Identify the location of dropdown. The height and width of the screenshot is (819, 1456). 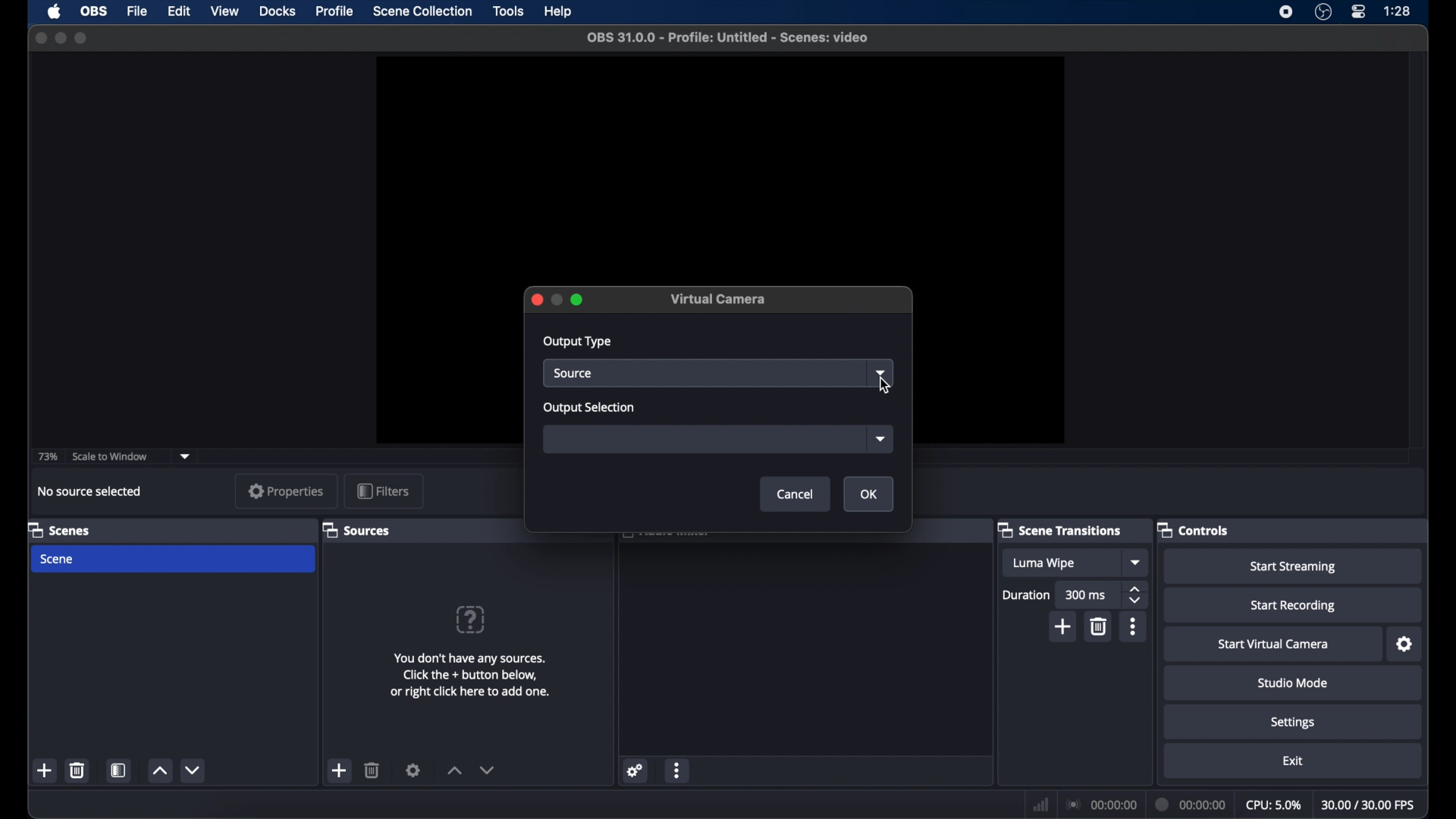
(1134, 563).